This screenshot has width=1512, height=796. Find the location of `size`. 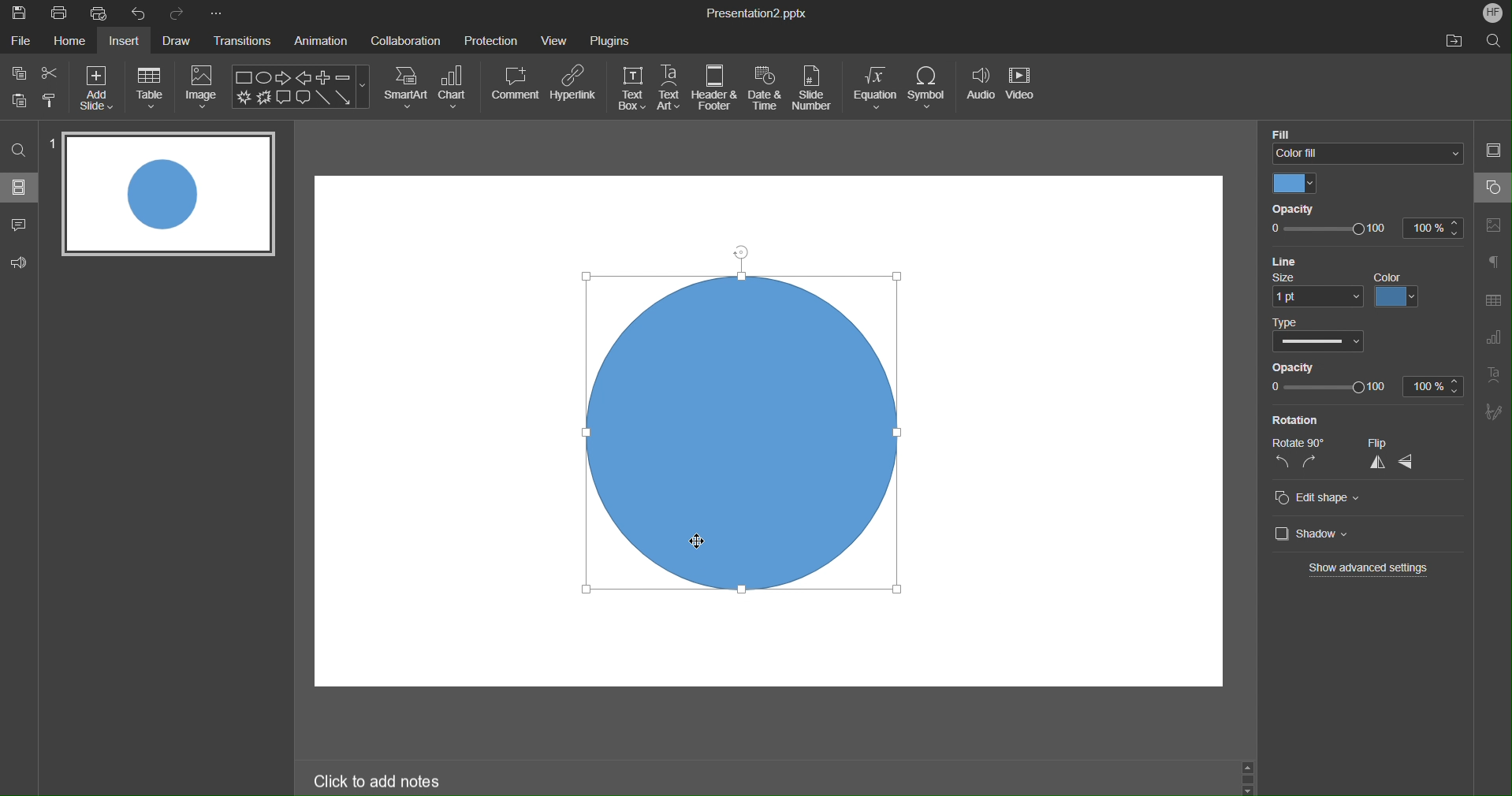

size is located at coordinates (1317, 289).